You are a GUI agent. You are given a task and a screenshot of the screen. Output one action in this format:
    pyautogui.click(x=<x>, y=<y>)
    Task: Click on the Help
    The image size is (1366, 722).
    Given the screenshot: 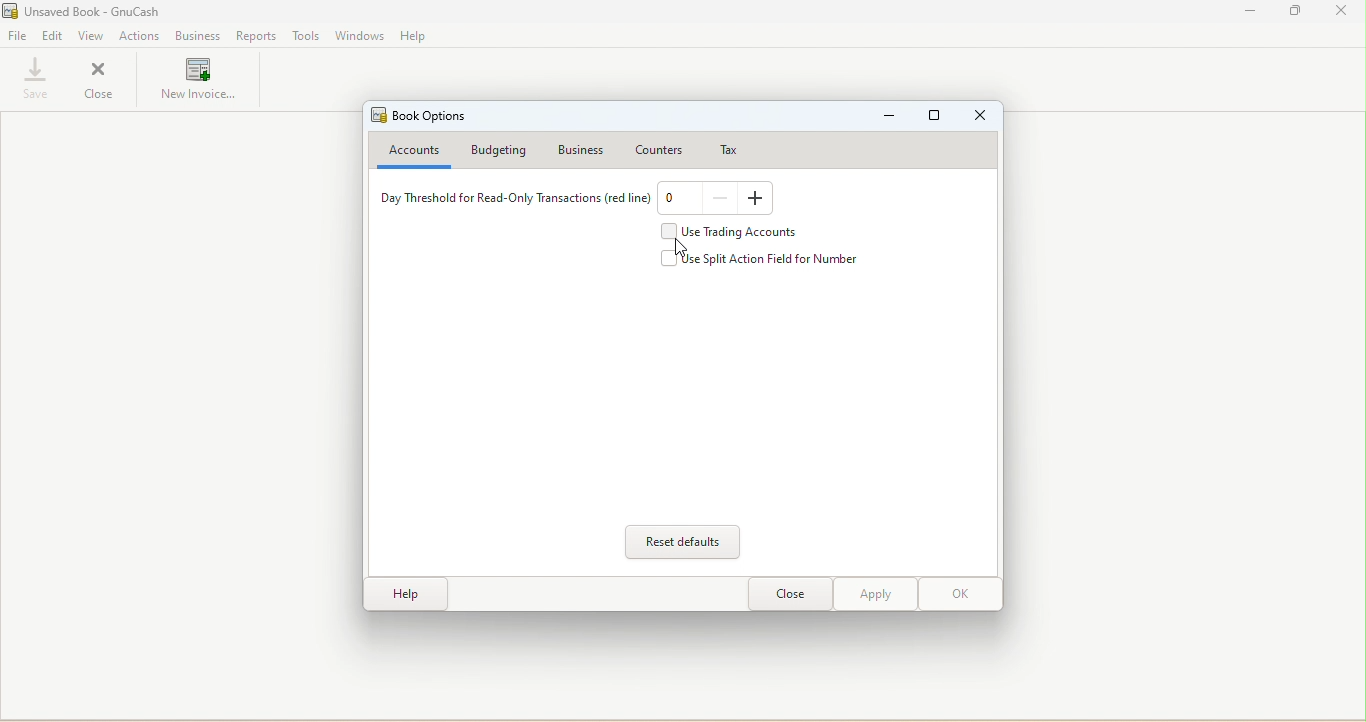 What is the action you would take?
    pyautogui.click(x=415, y=37)
    